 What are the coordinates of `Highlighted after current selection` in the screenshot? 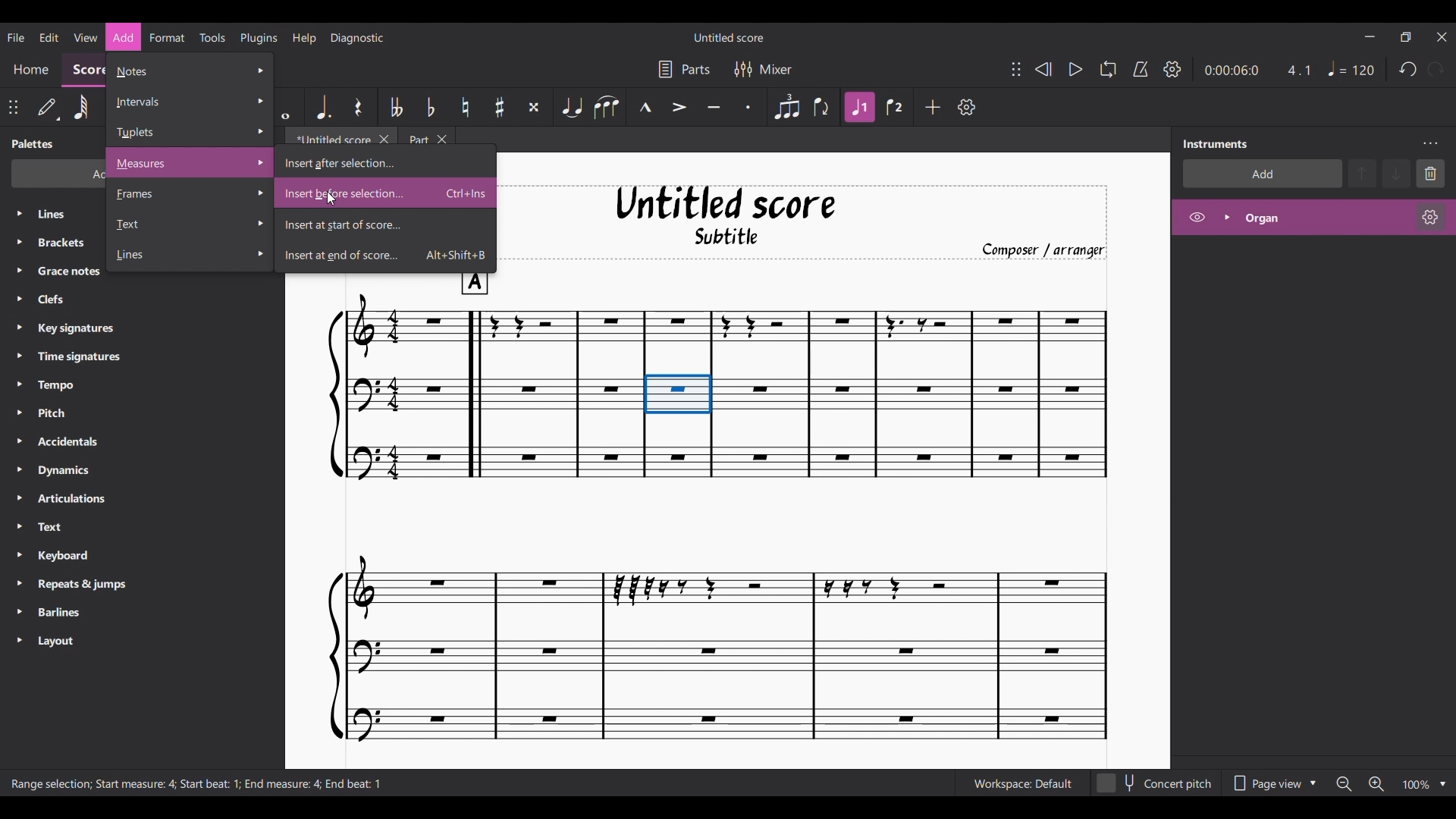 It's located at (860, 106).